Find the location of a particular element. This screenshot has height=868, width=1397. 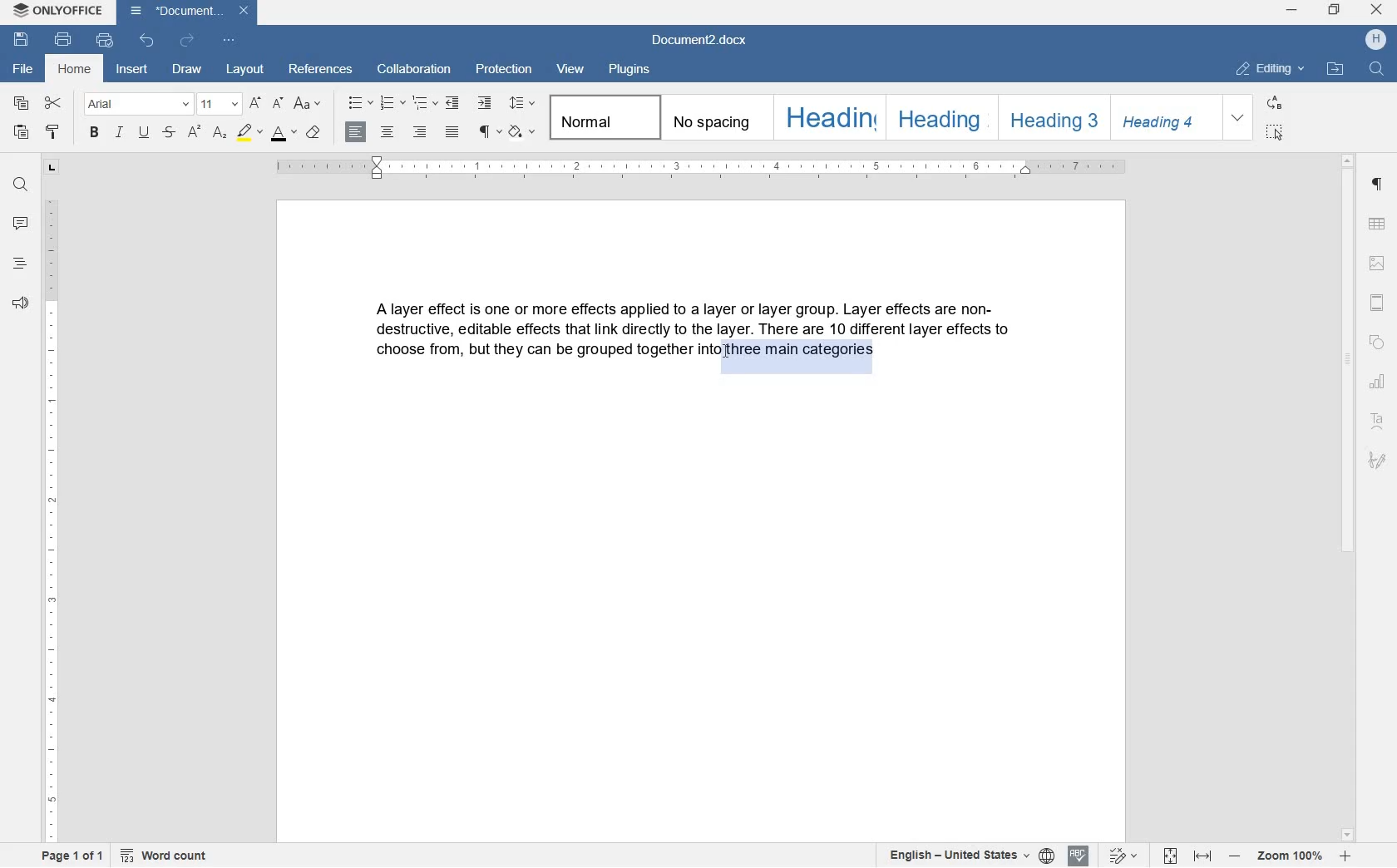

decrement font size is located at coordinates (279, 104).